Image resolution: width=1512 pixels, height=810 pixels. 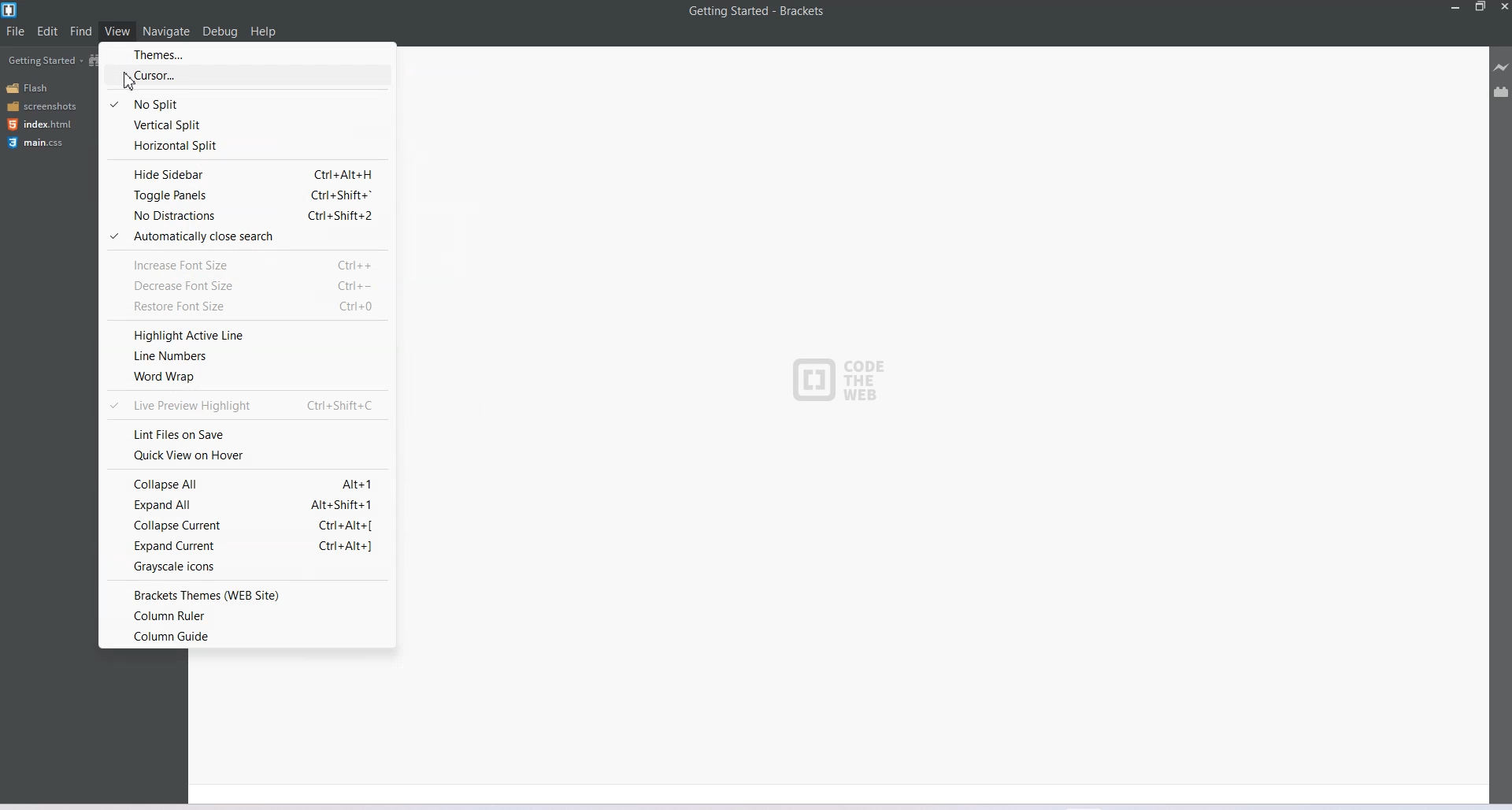 What do you see at coordinates (15, 31) in the screenshot?
I see `File` at bounding box center [15, 31].